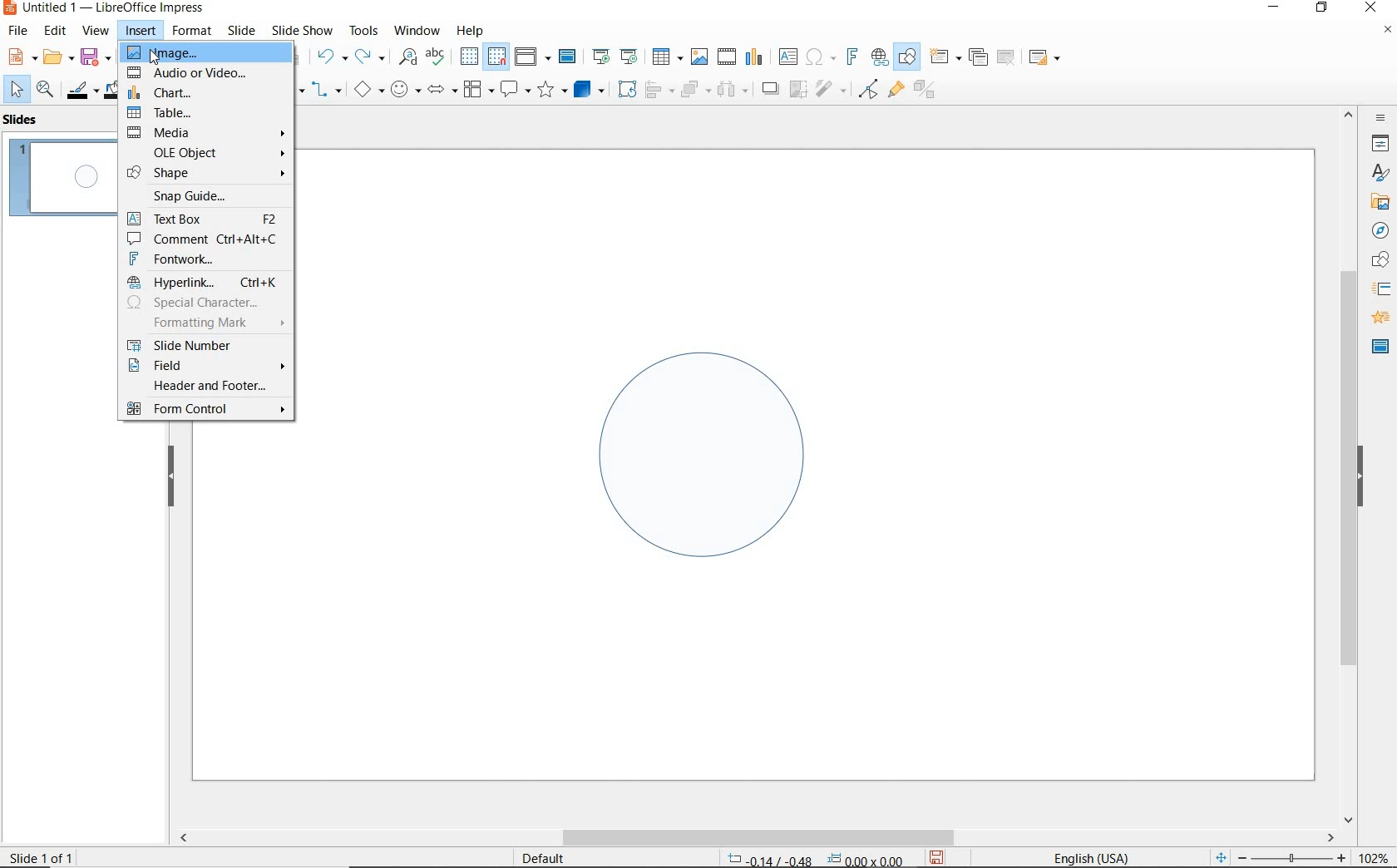 The height and width of the screenshot is (868, 1397). Describe the element at coordinates (210, 111) in the screenshot. I see `TABLE` at that location.